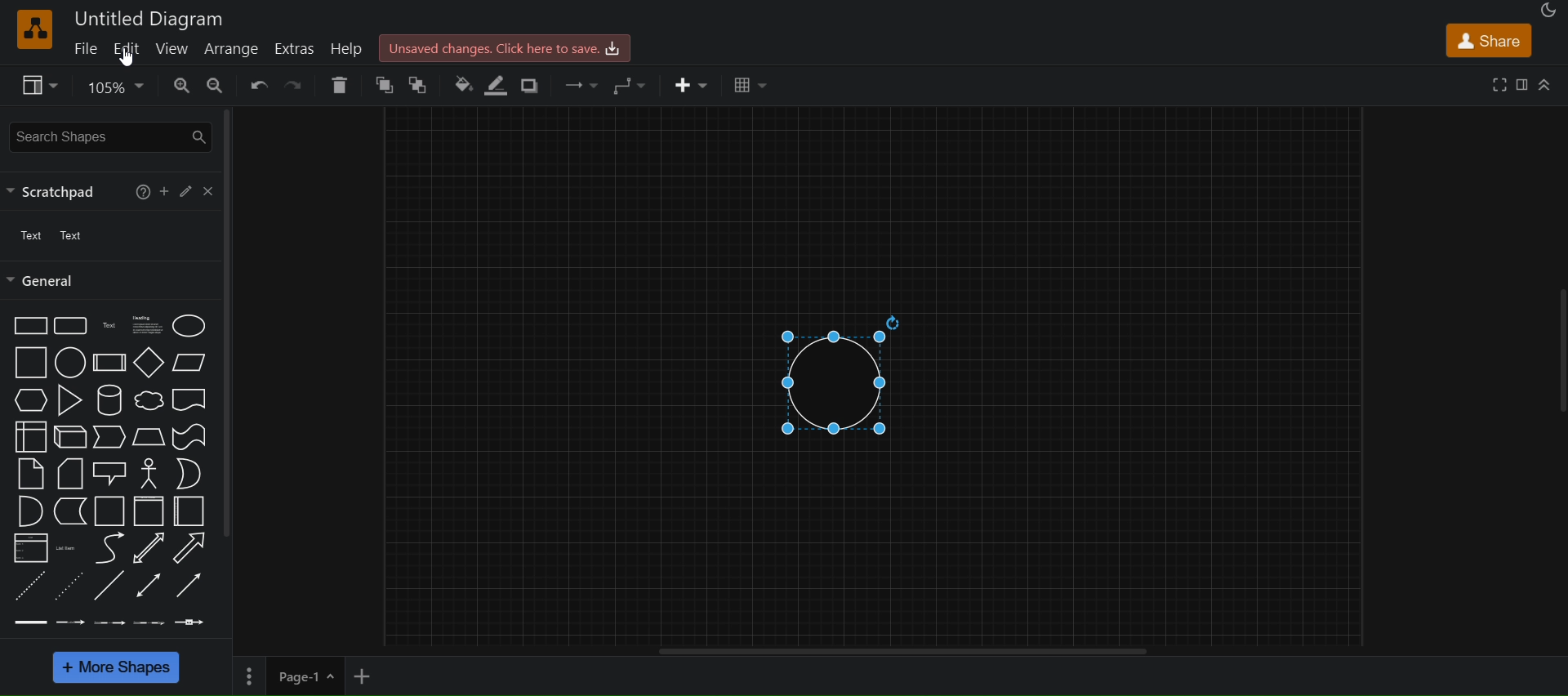 The image size is (1568, 696). What do you see at coordinates (28, 400) in the screenshot?
I see `hexagon` at bounding box center [28, 400].